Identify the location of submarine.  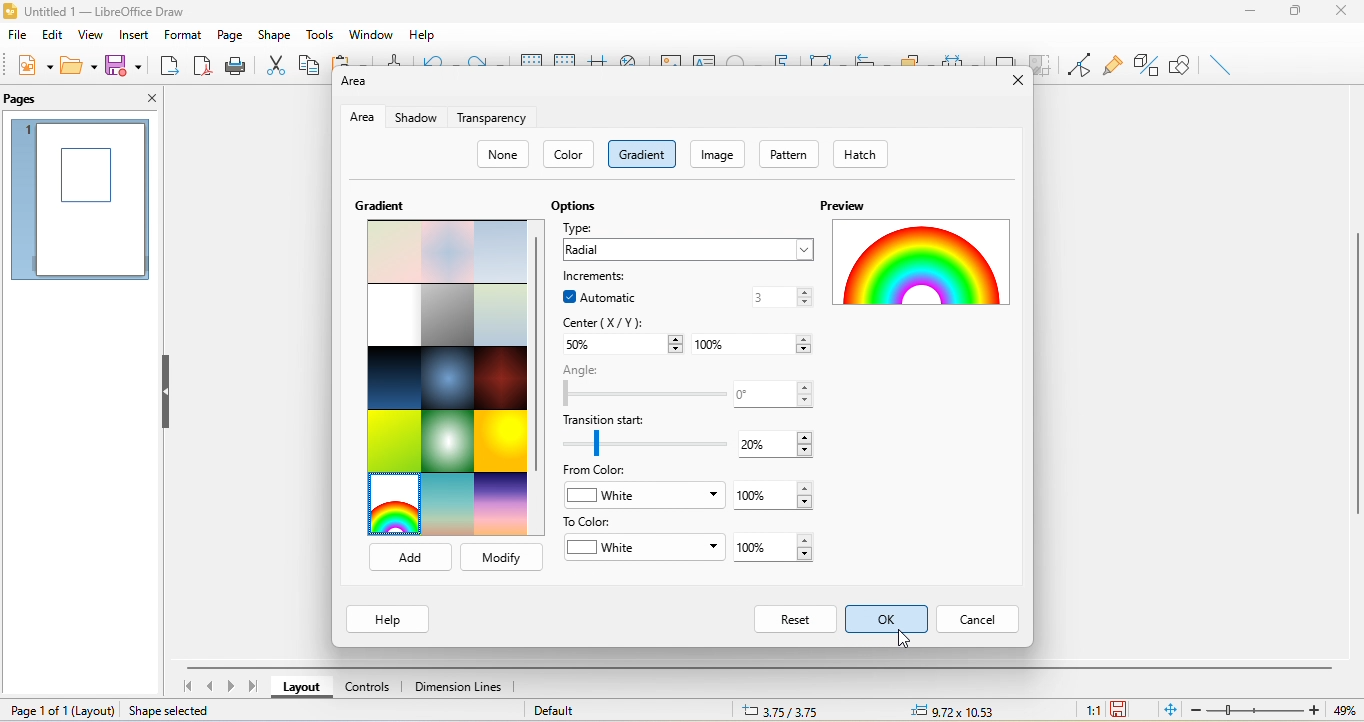
(501, 317).